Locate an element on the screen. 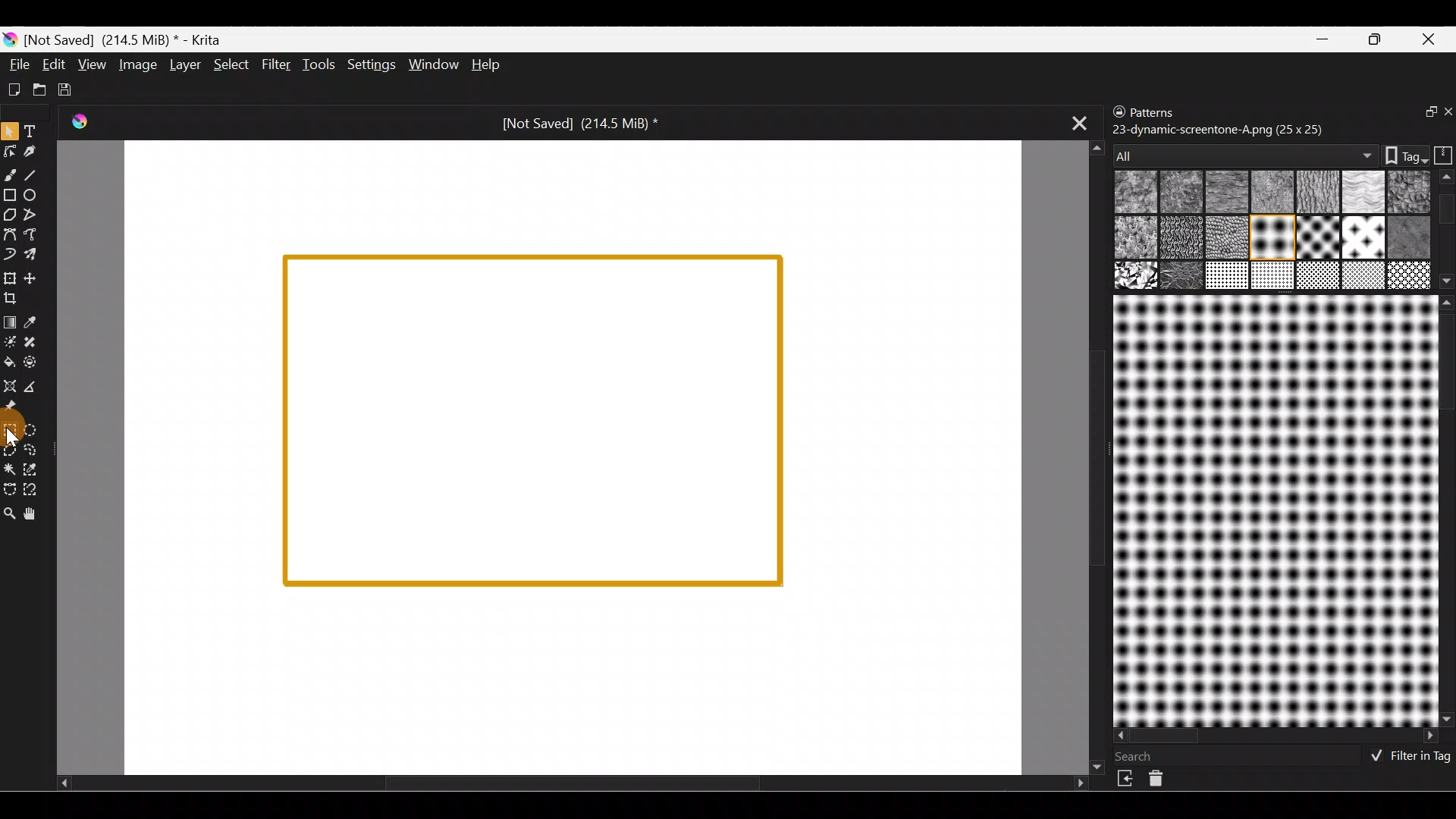 Image resolution: width=1456 pixels, height=819 pixels. 15 texture_rockb.png is located at coordinates (1183, 277).